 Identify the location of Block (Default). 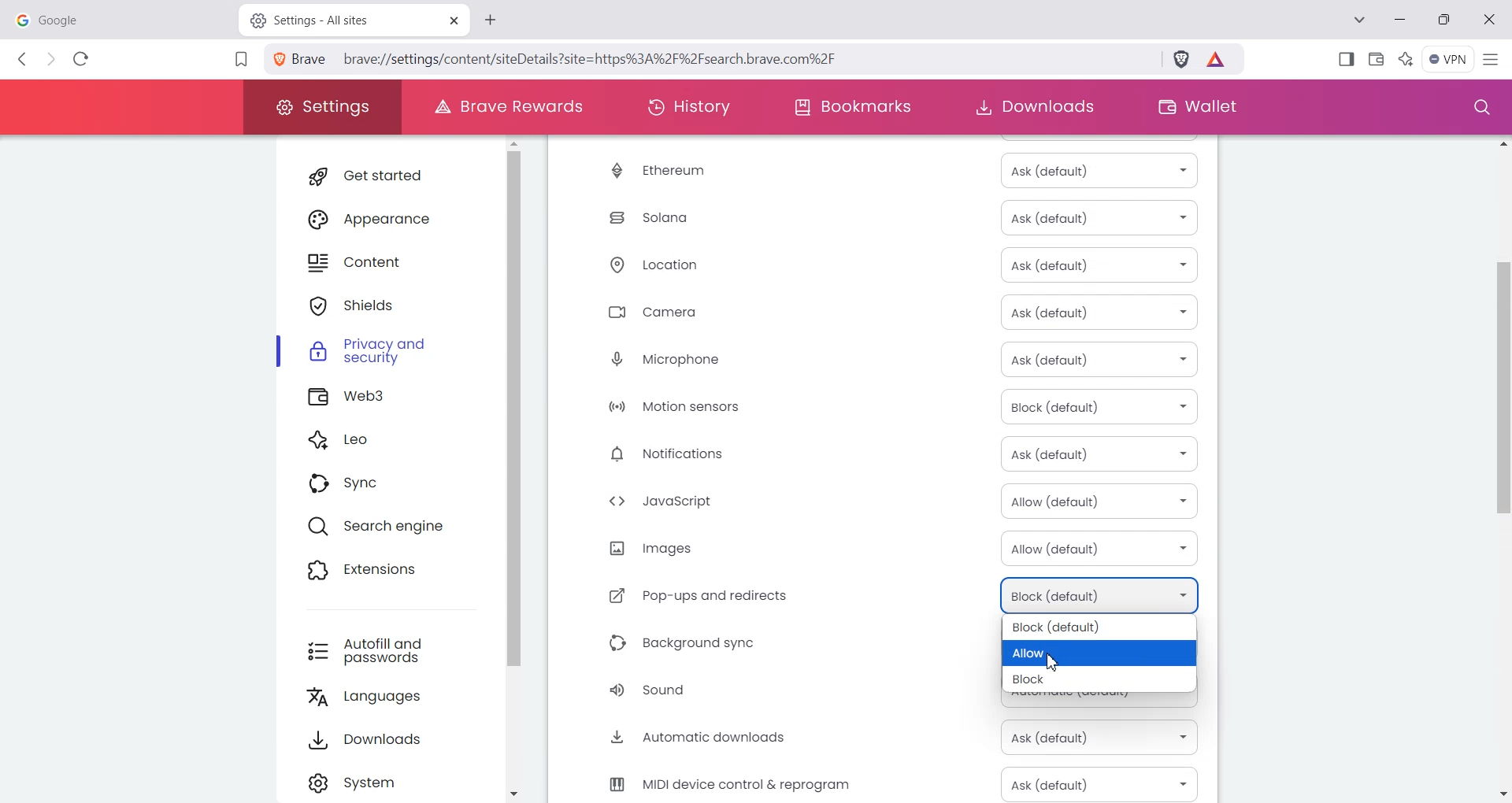
(1099, 626).